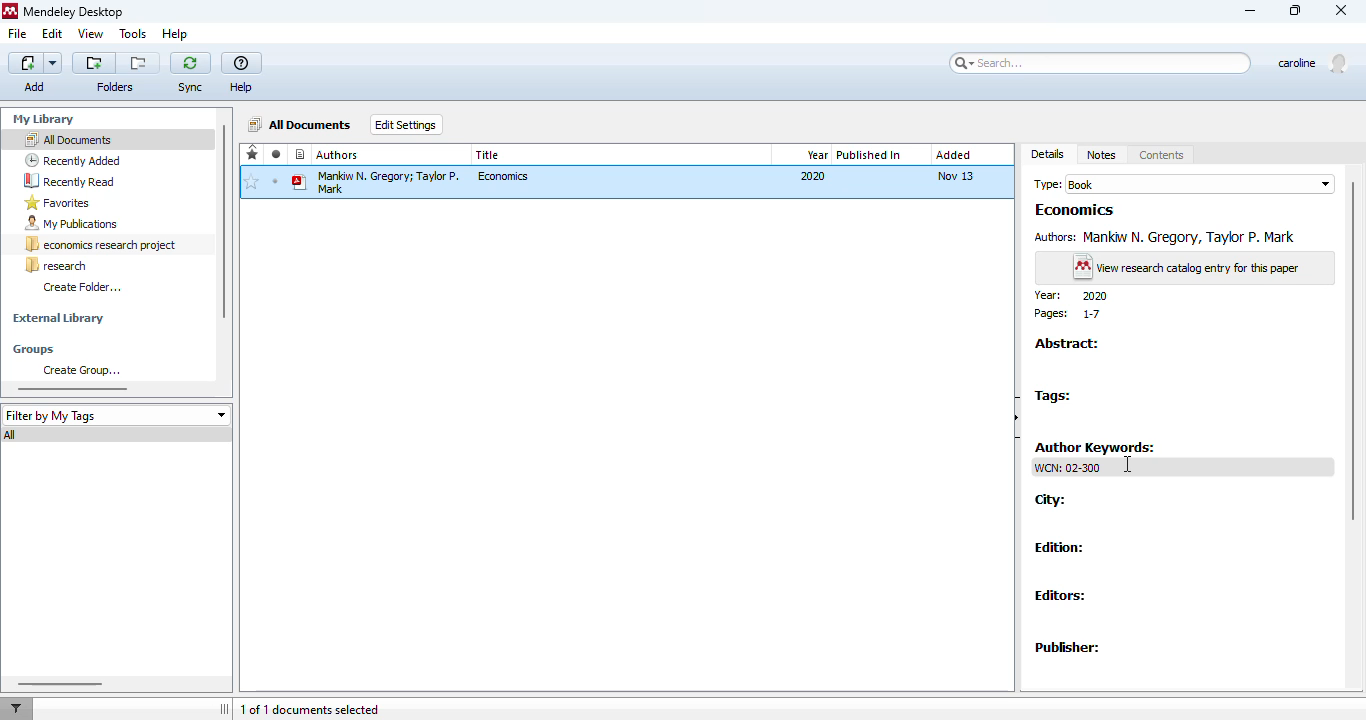 The image size is (1366, 720). Describe the element at coordinates (1165, 238) in the screenshot. I see `Authors: Mankiw N. Gregory, Taylor P. Mark` at that location.